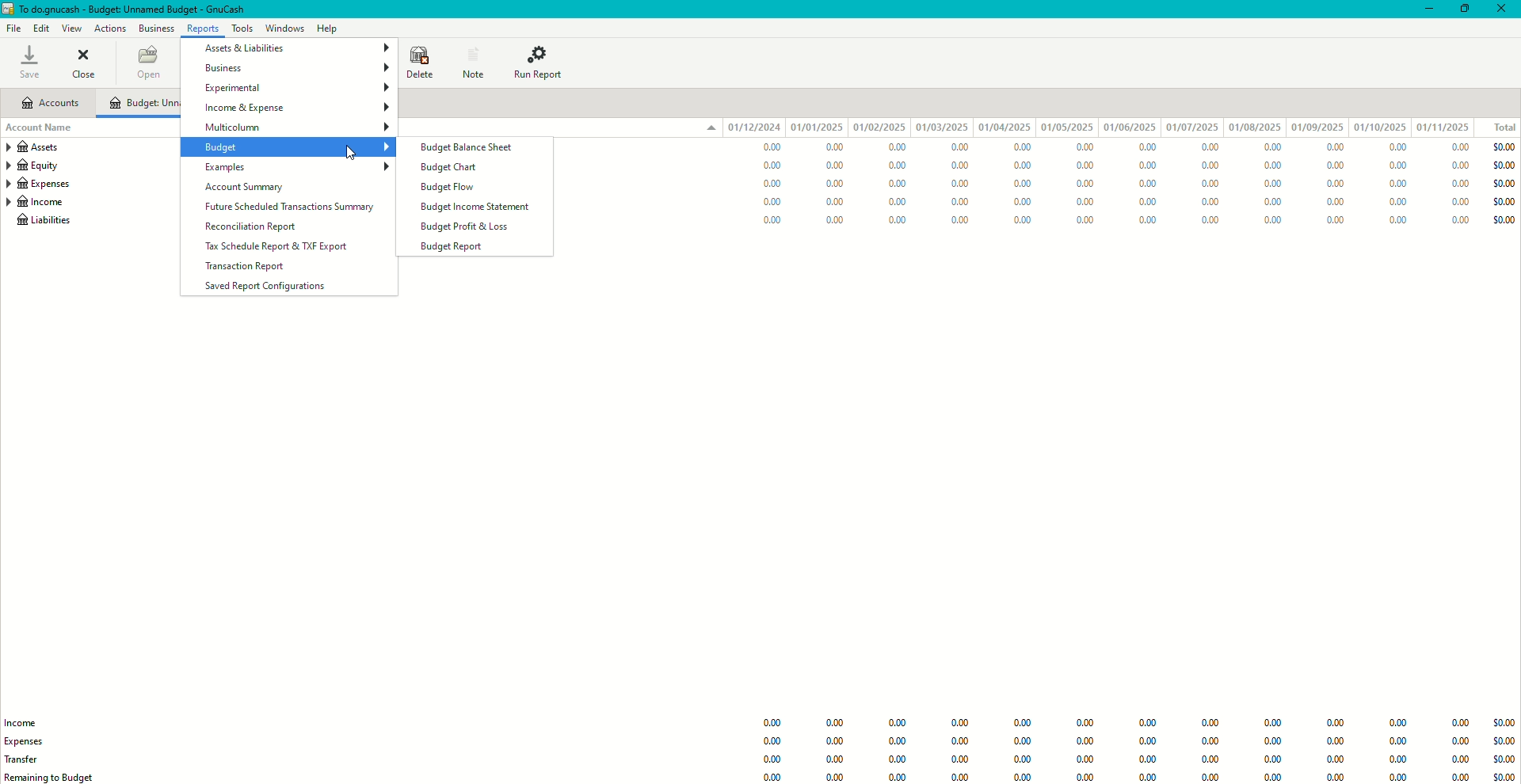 Image resolution: width=1521 pixels, height=784 pixels. I want to click on Budget, so click(299, 147).